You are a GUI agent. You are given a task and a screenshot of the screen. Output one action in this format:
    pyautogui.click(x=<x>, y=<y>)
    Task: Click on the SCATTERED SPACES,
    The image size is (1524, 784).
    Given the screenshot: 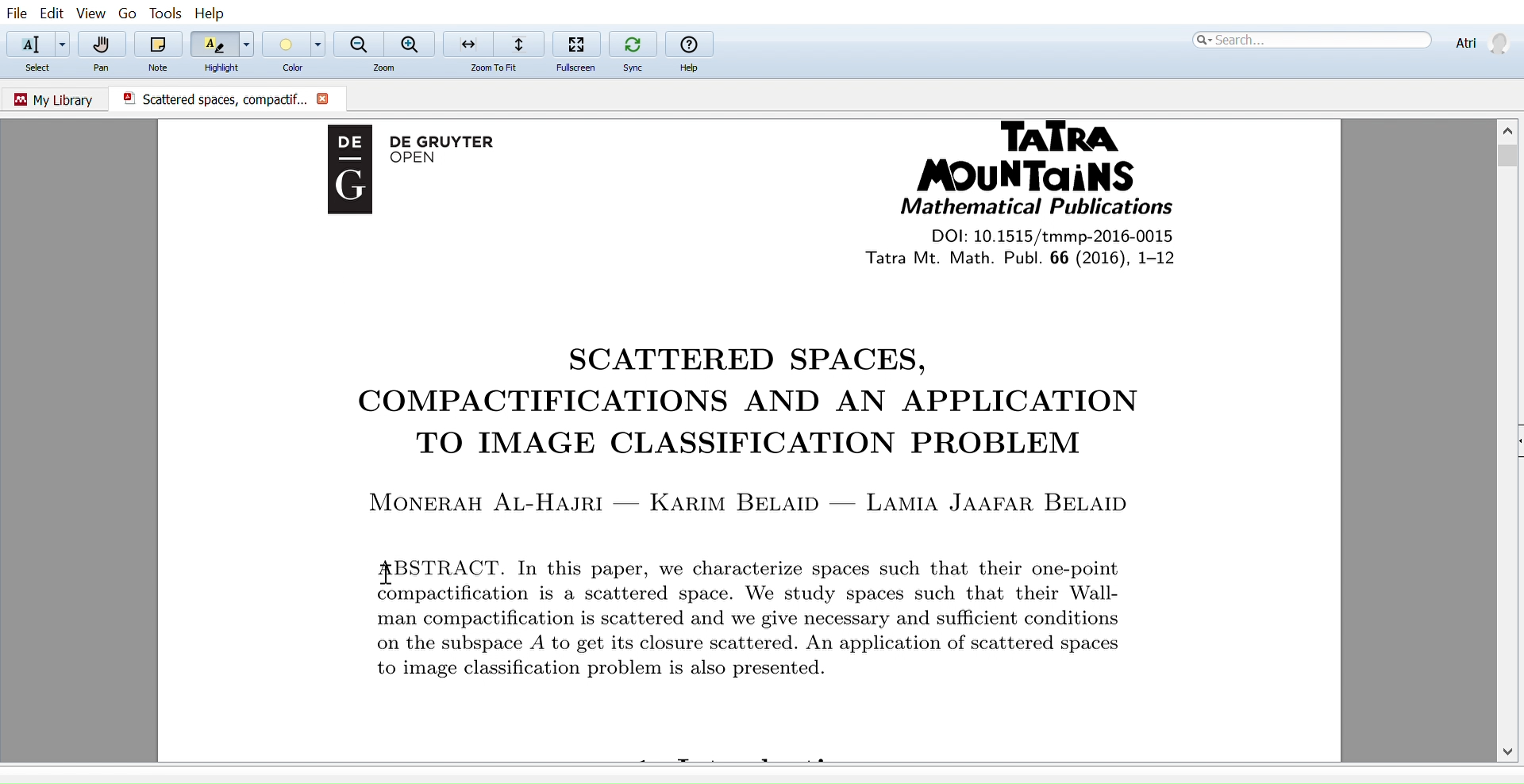 What is the action you would take?
    pyautogui.click(x=749, y=359)
    